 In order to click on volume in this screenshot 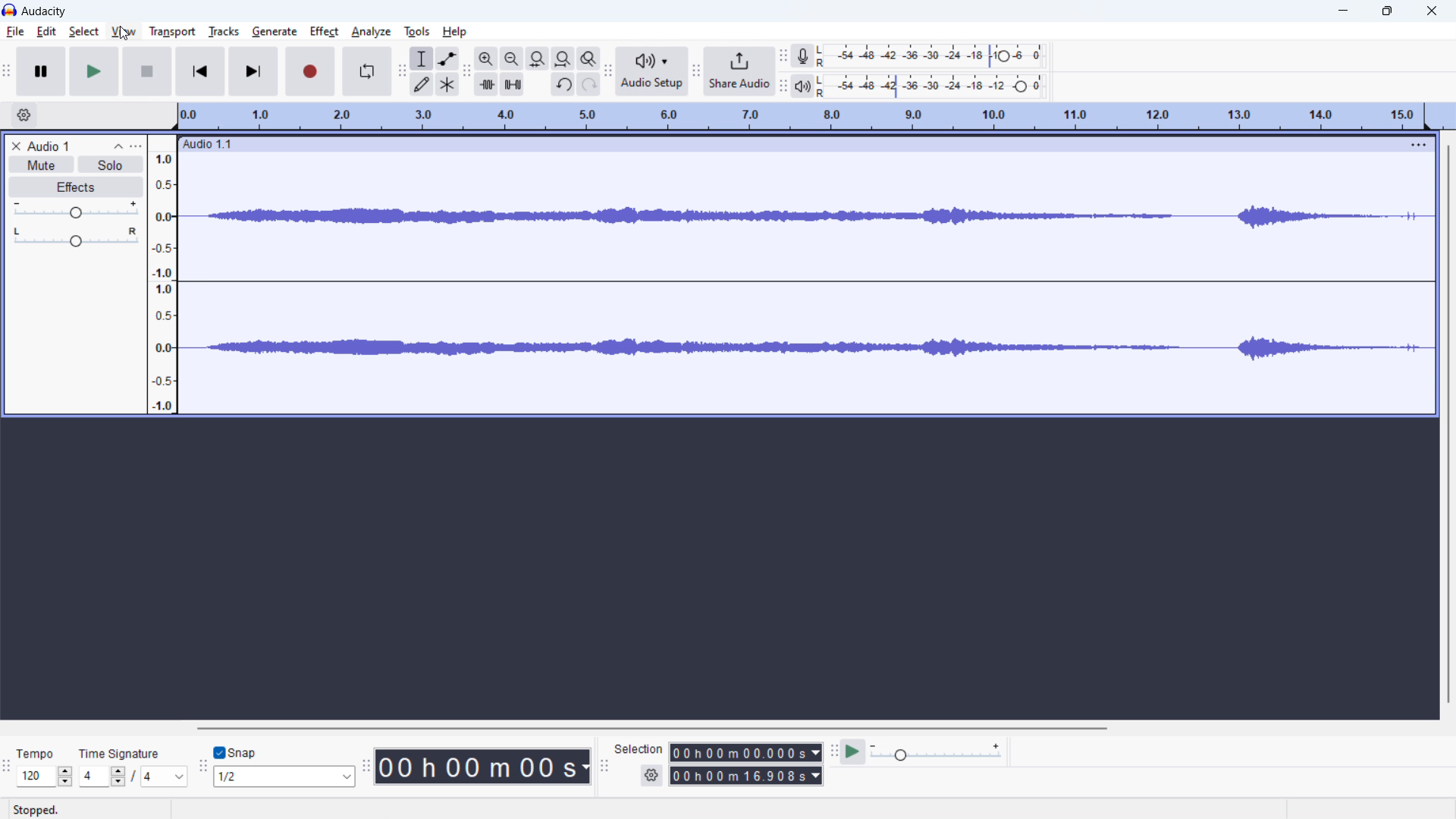, I will do `click(76, 210)`.